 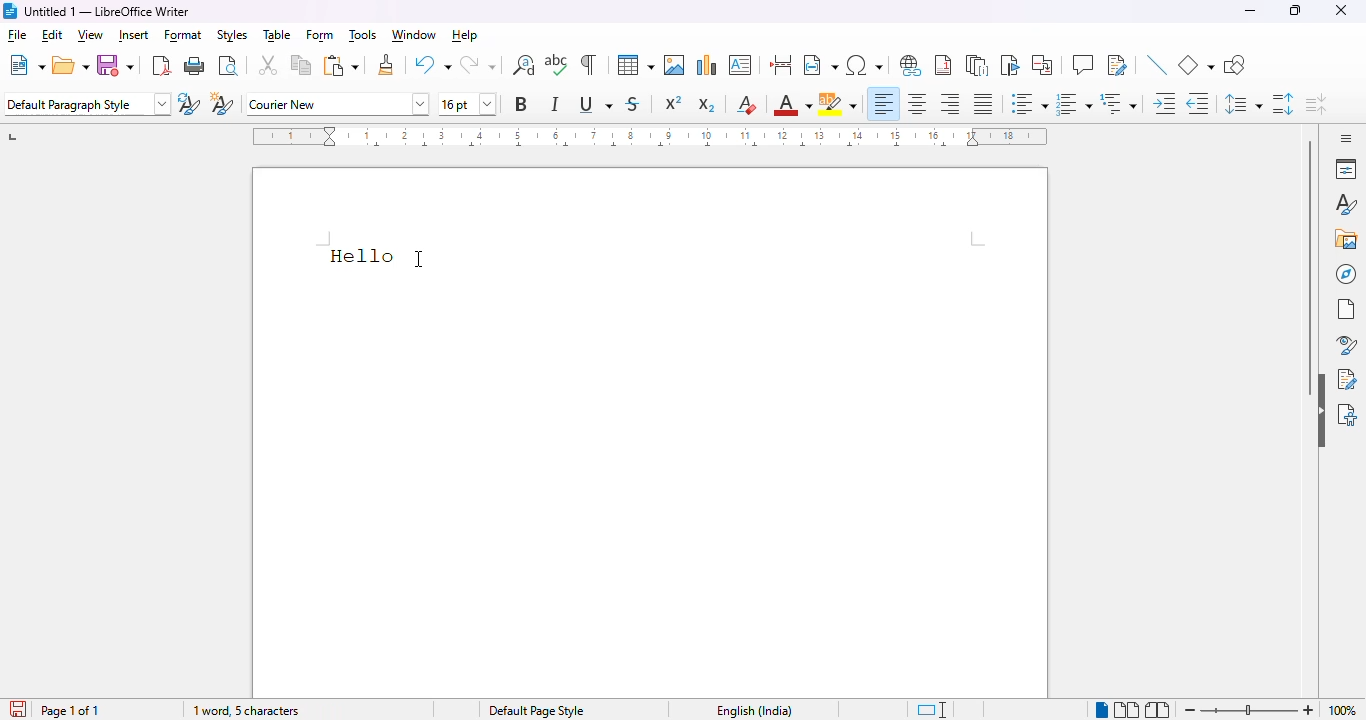 What do you see at coordinates (978, 64) in the screenshot?
I see `insert endnote` at bounding box center [978, 64].